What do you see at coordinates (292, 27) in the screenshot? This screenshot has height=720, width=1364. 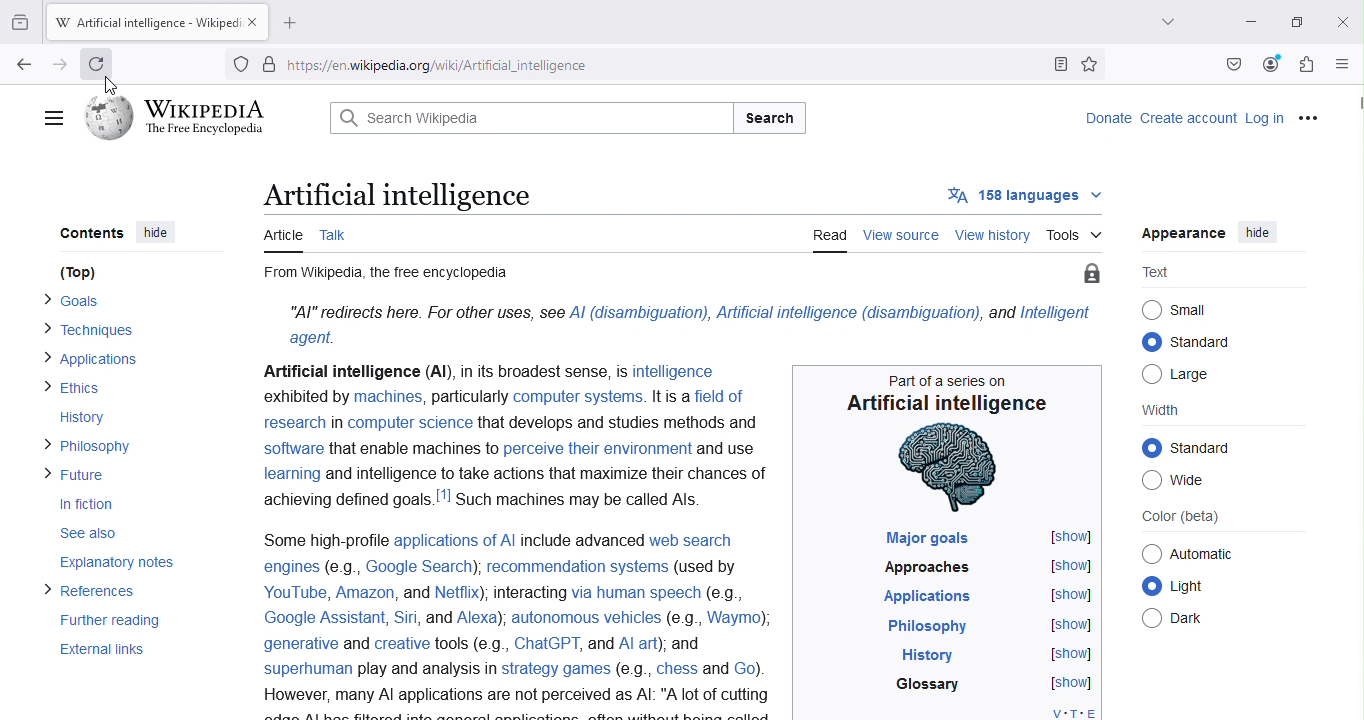 I see `Open a new tab` at bounding box center [292, 27].